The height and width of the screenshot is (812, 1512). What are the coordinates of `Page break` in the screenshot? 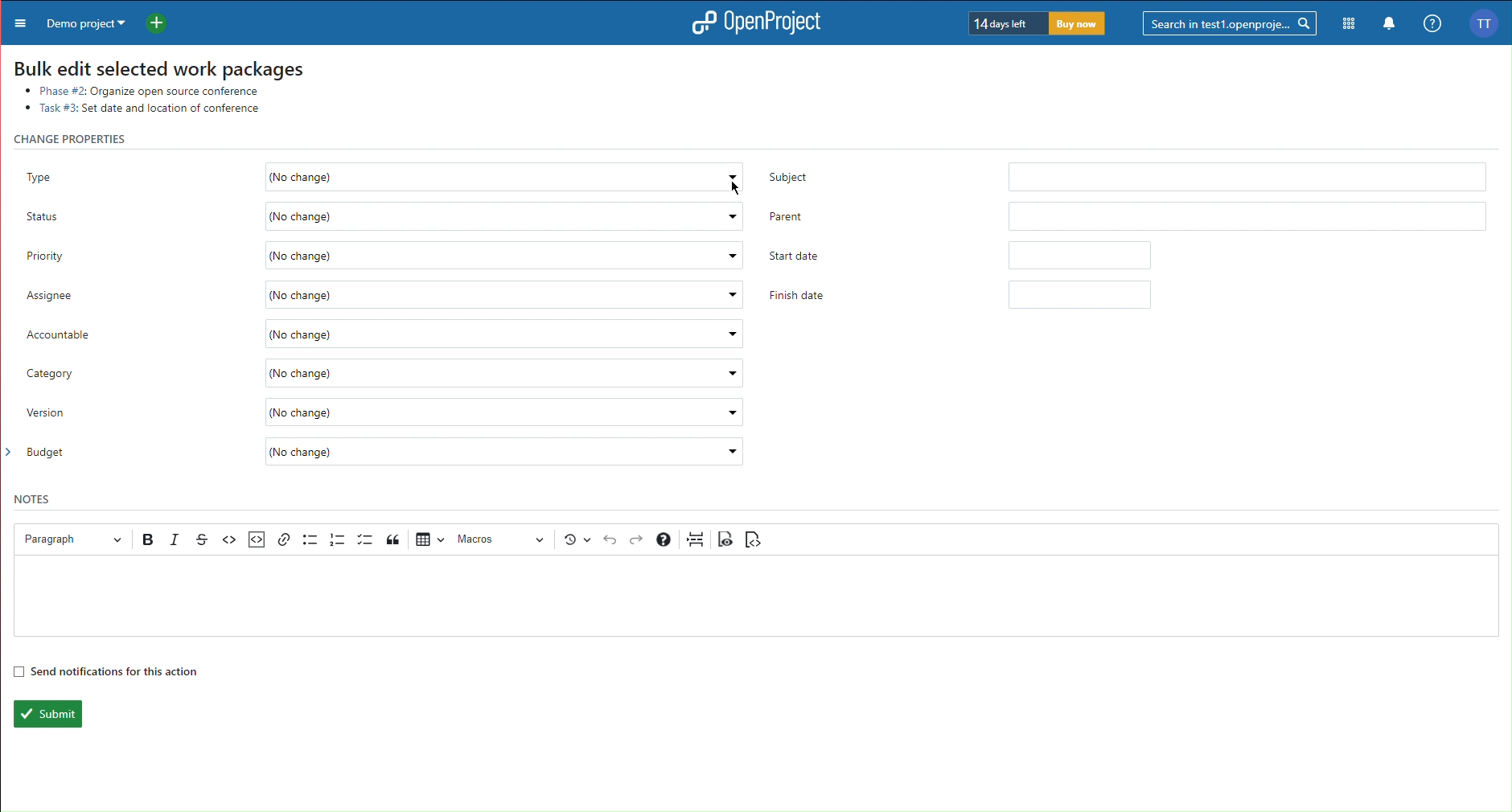 It's located at (696, 539).